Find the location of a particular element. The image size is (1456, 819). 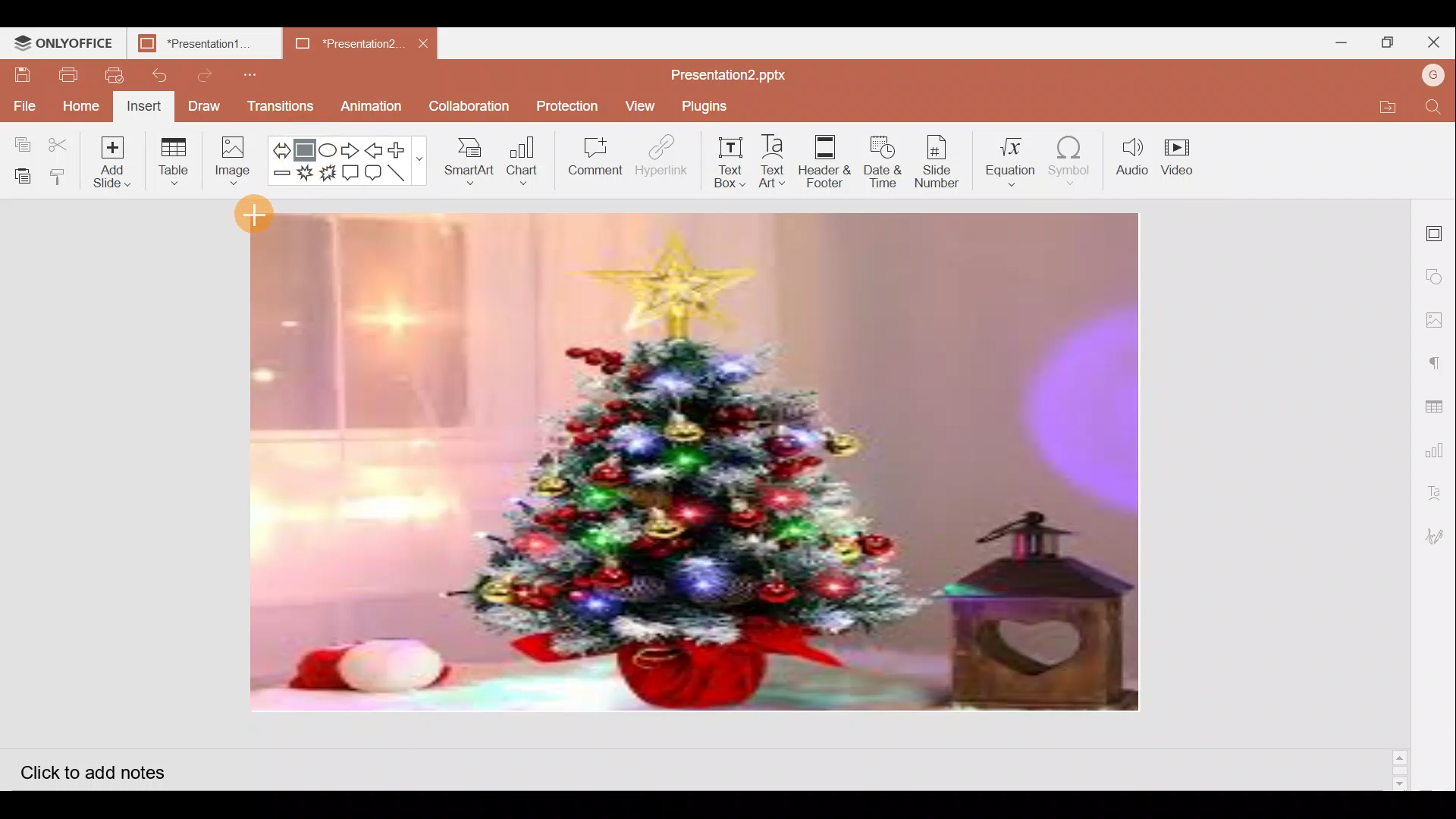

Draw is located at coordinates (205, 108).